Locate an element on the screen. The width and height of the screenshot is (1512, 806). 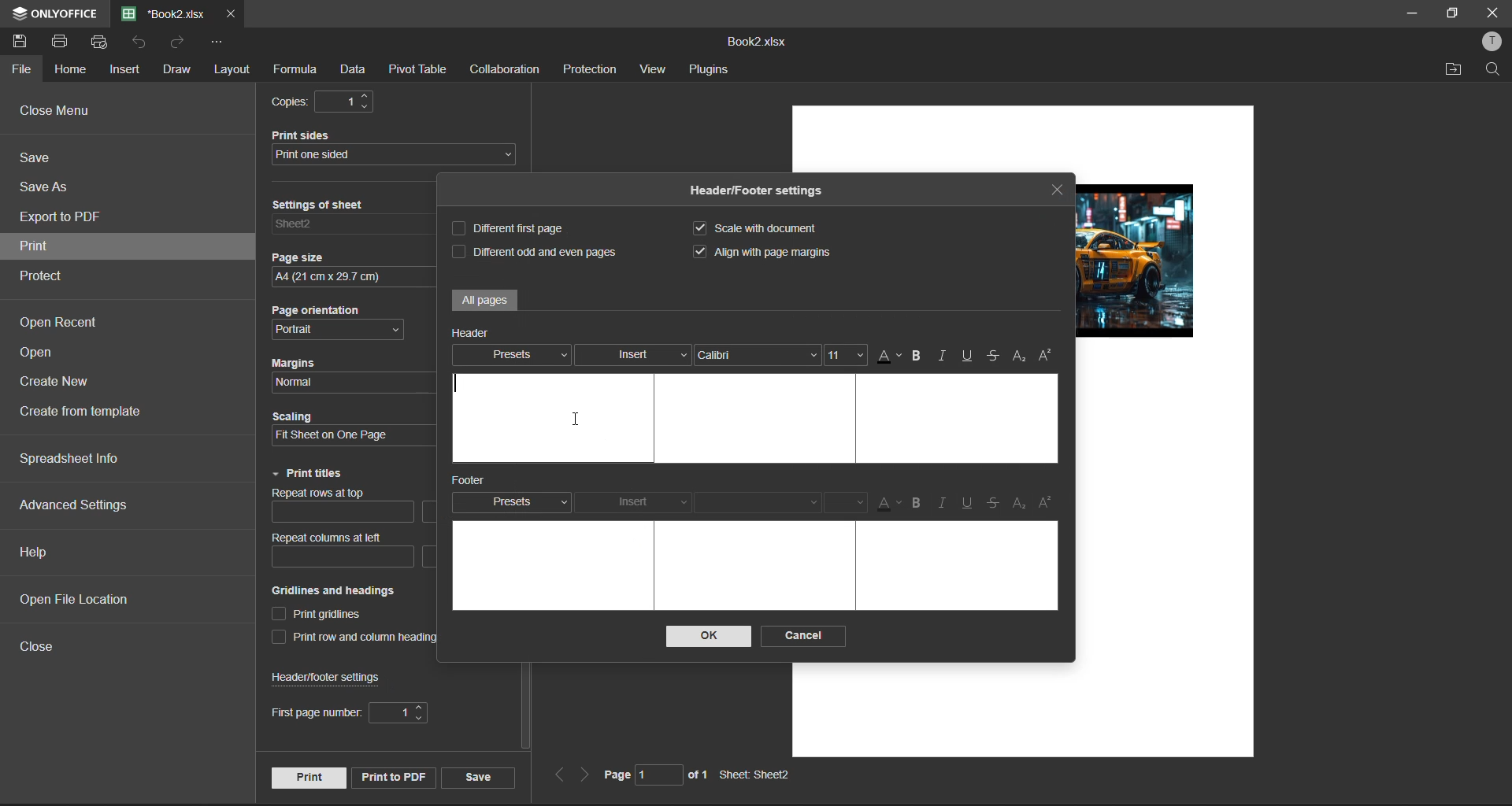
scale with document is located at coordinates (762, 228).